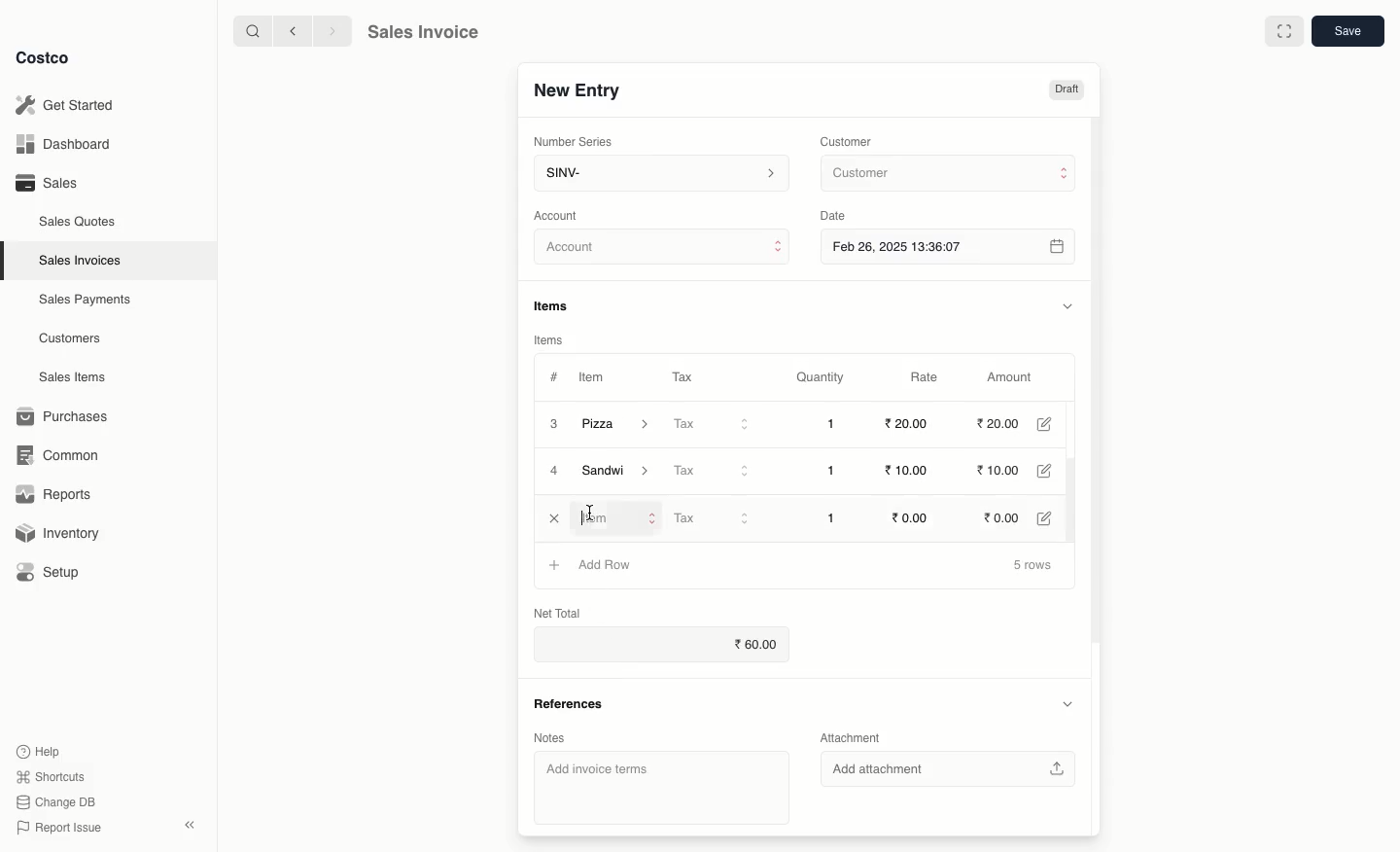 This screenshot has height=852, width=1400. I want to click on Draft, so click(1067, 90).